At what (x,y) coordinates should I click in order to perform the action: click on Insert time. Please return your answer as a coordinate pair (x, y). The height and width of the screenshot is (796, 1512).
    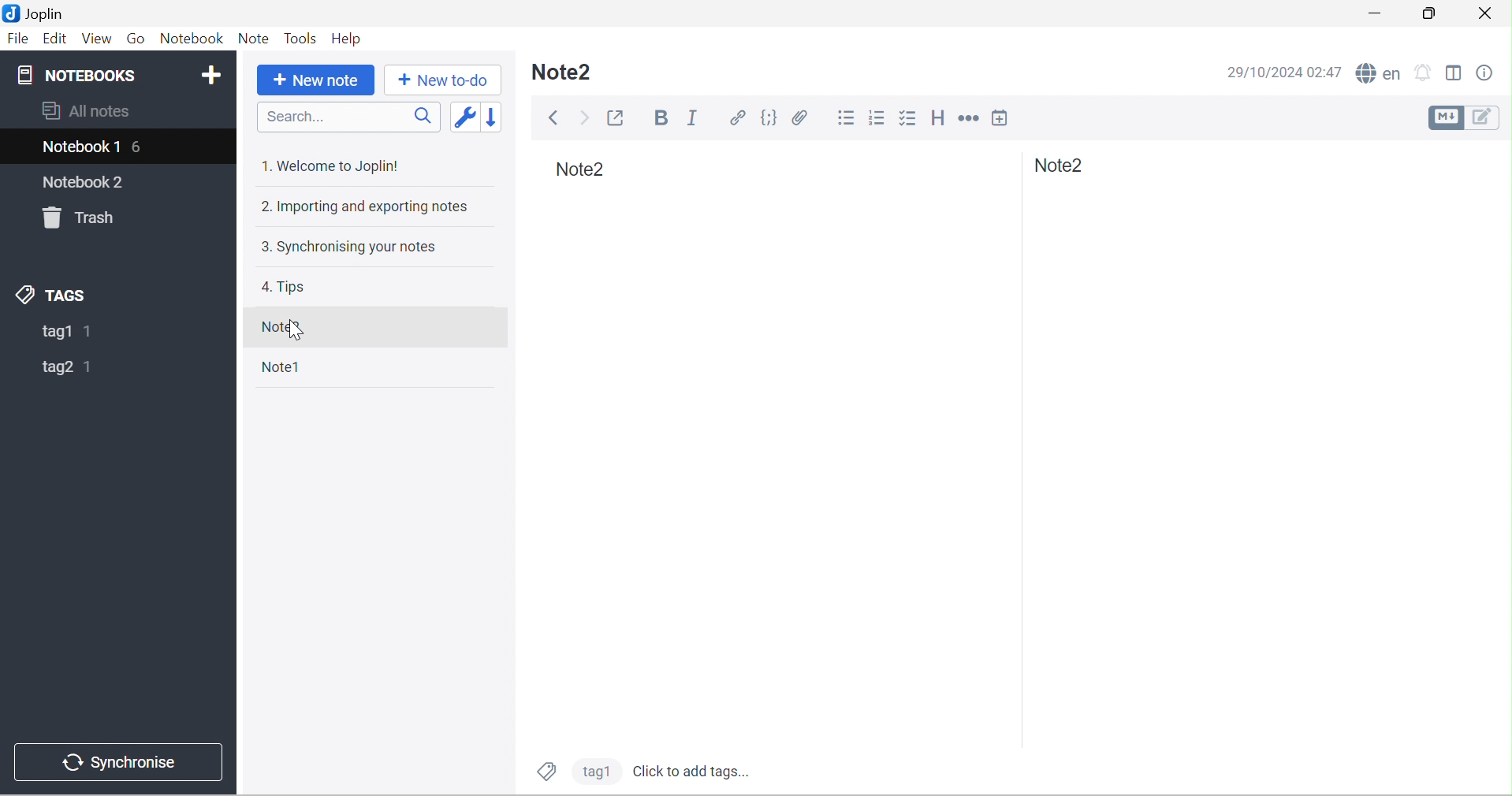
    Looking at the image, I should click on (1002, 117).